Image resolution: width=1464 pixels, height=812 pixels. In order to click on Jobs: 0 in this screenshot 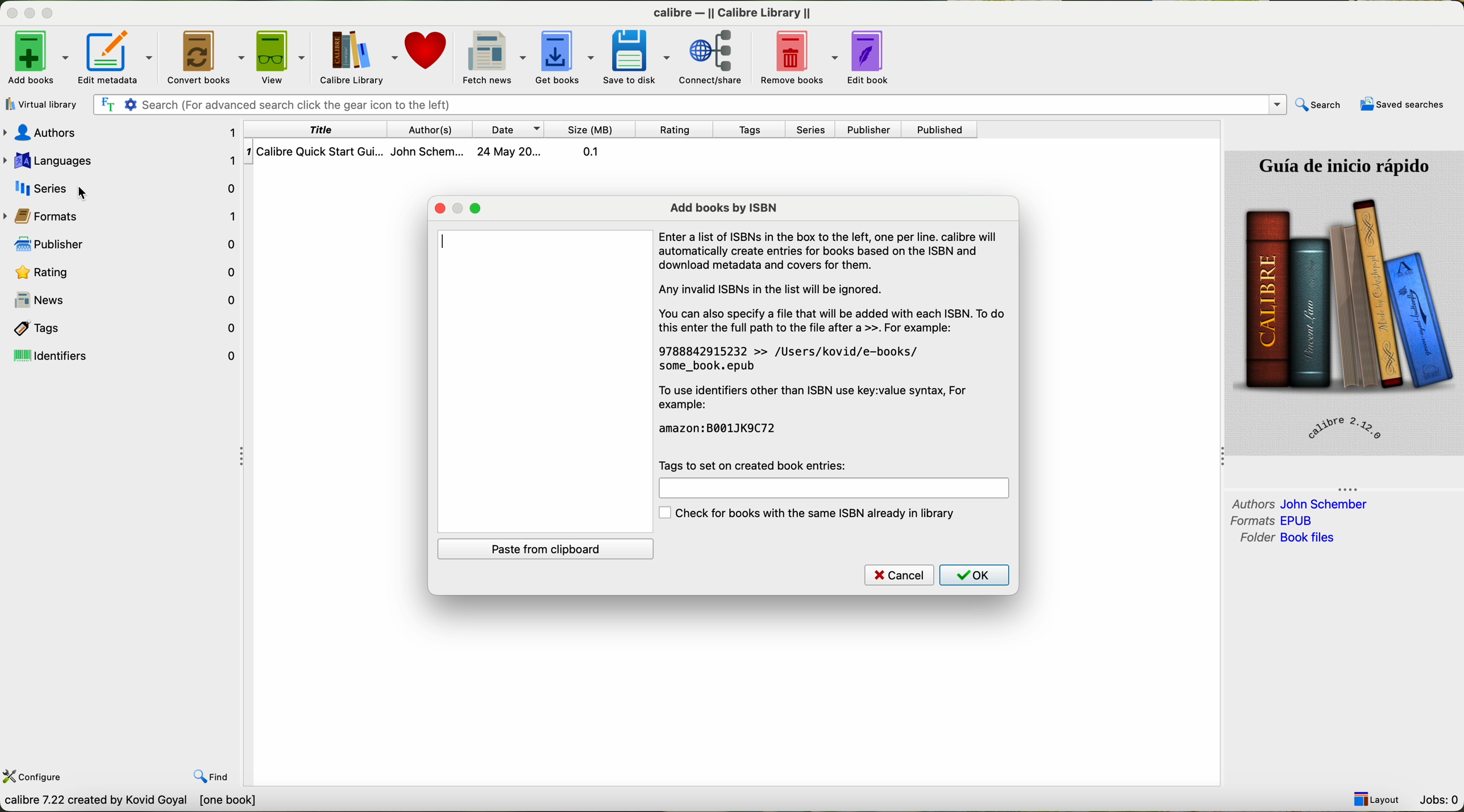, I will do `click(1440, 801)`.